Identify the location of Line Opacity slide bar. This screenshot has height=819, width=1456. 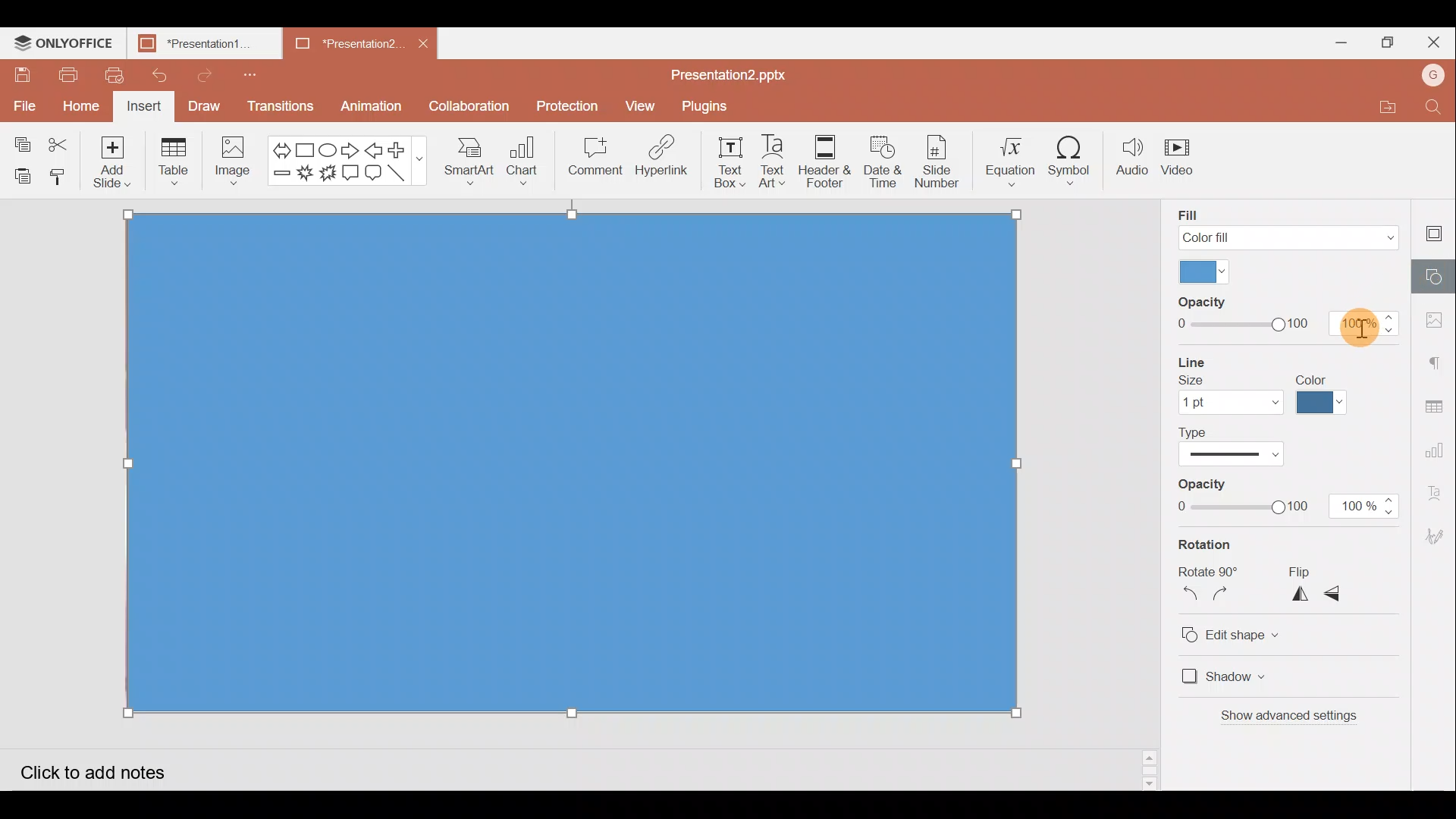
(1241, 497).